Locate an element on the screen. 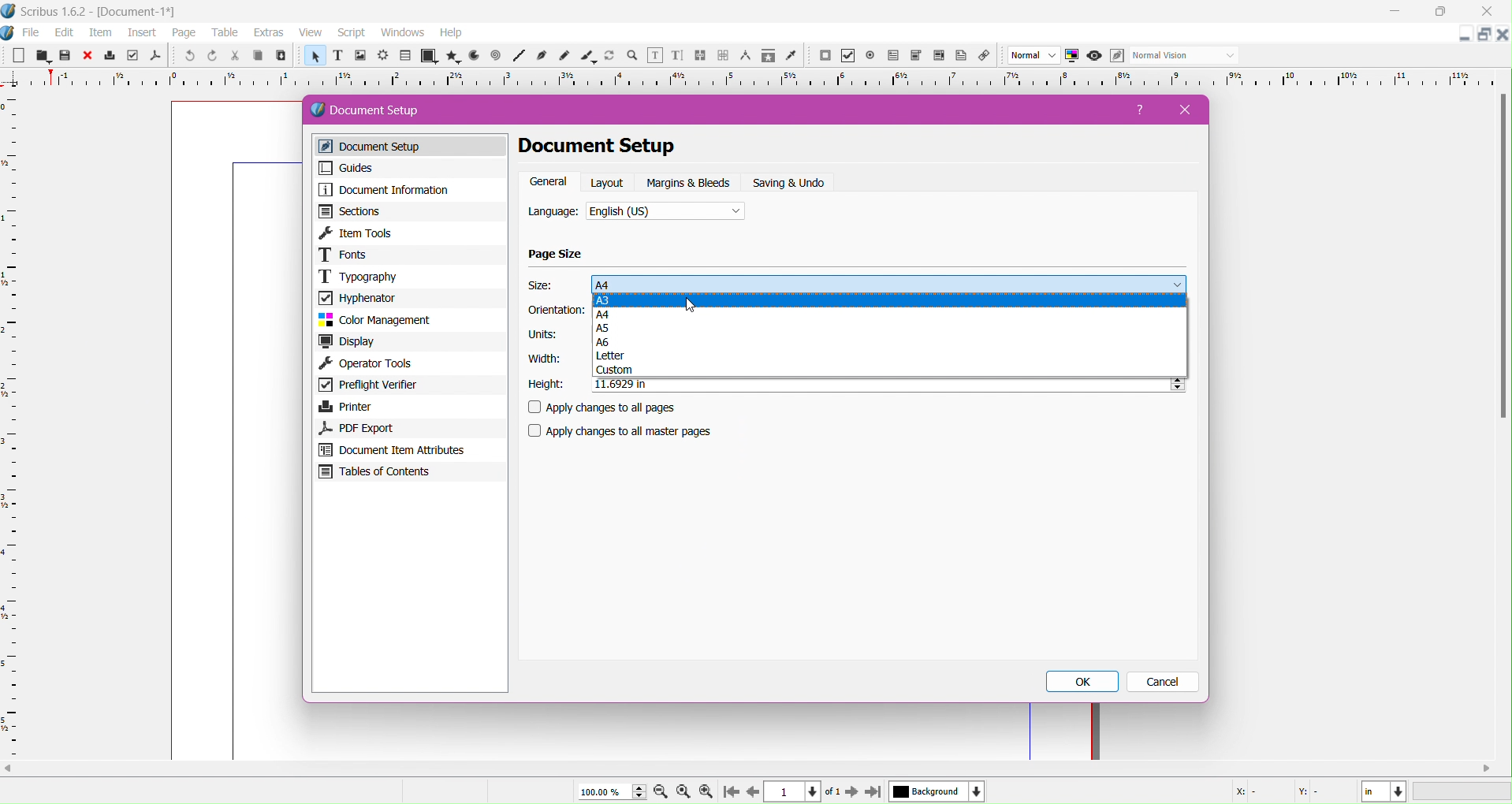 The width and height of the screenshot is (1512, 804). pdf list box is located at coordinates (940, 57).